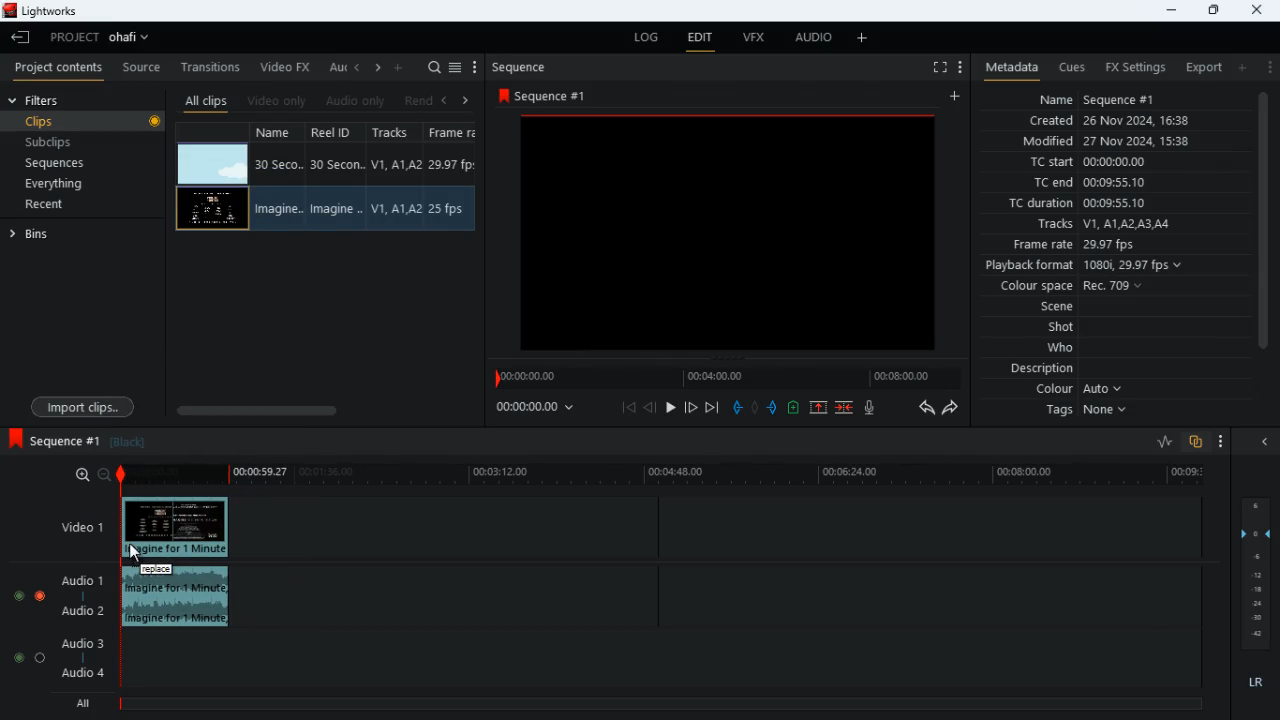  Describe the element at coordinates (83, 611) in the screenshot. I see `audio 2` at that location.